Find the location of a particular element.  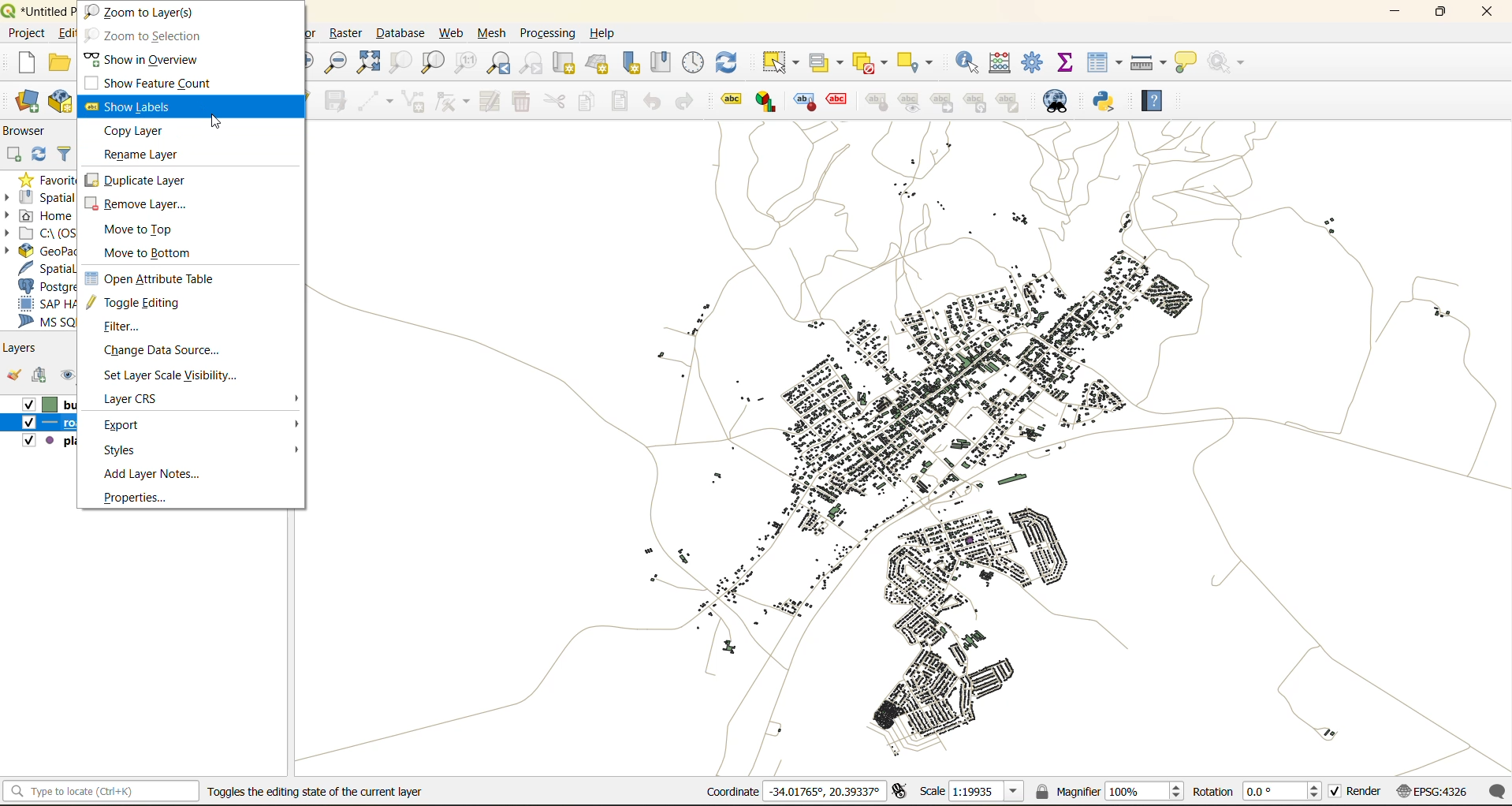

move to bottom is located at coordinates (146, 253).